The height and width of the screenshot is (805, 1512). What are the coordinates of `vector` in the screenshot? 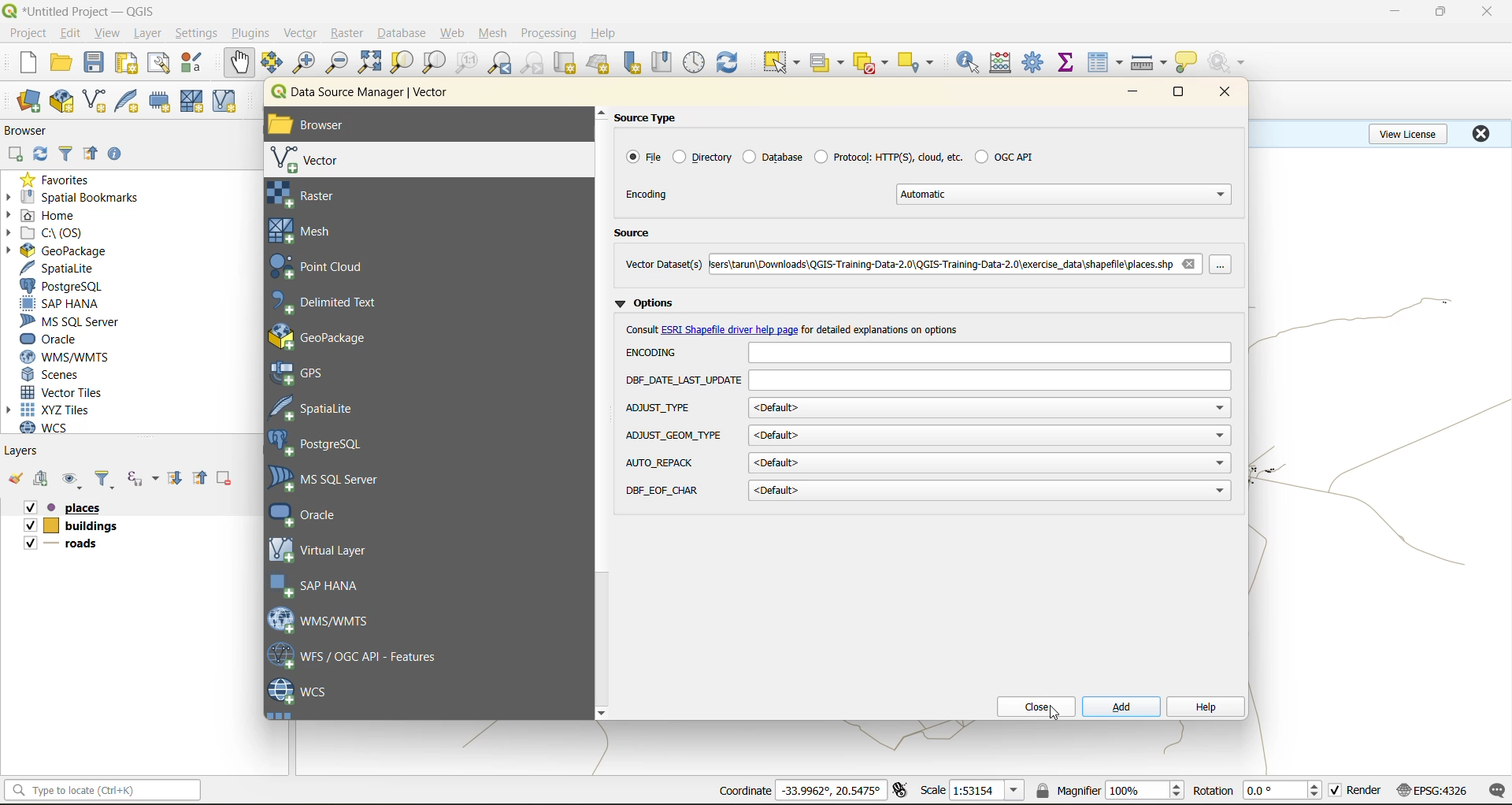 It's located at (302, 33).